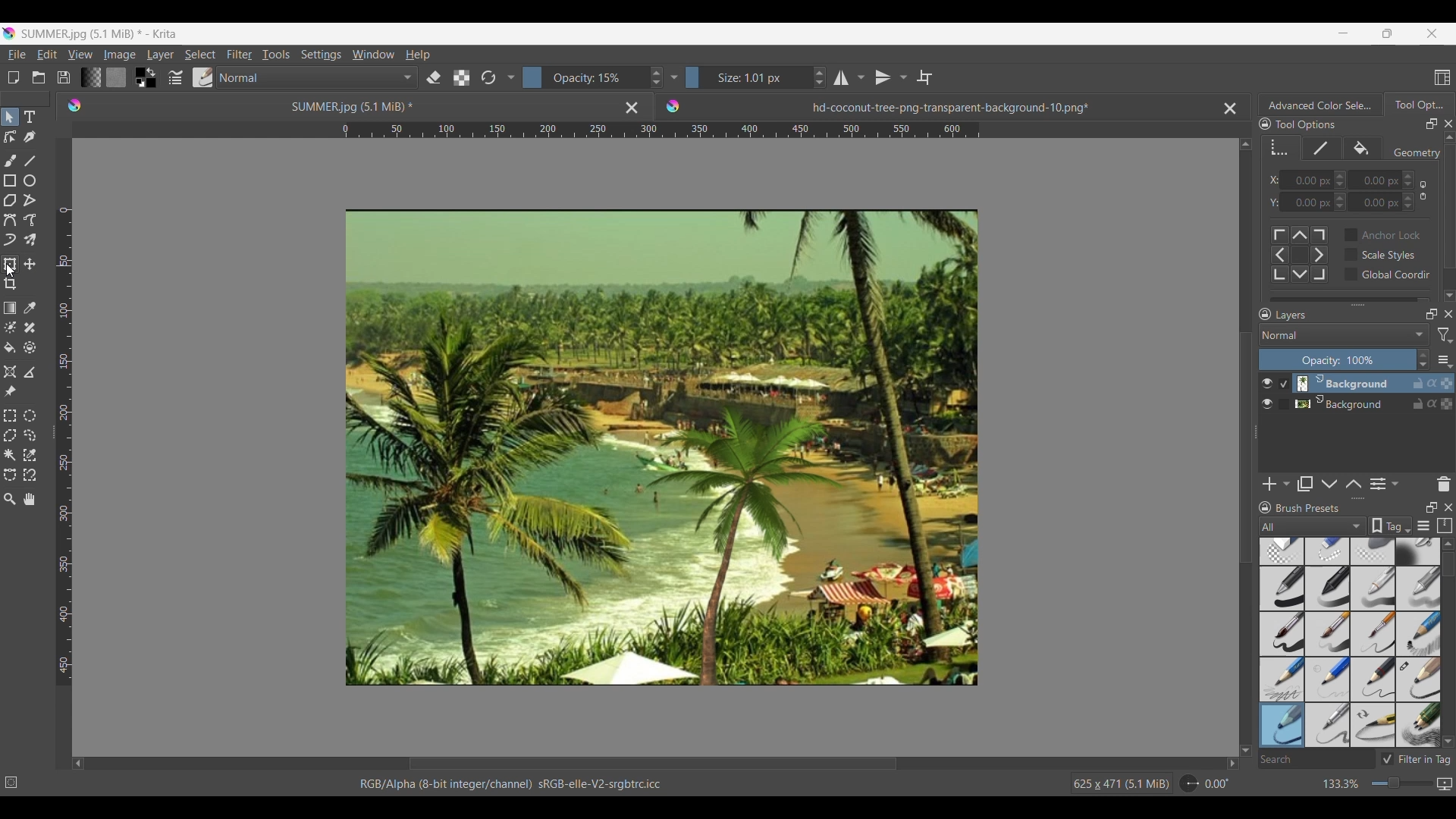 The width and height of the screenshot is (1456, 819). I want to click on Preserve alpha, so click(461, 78).